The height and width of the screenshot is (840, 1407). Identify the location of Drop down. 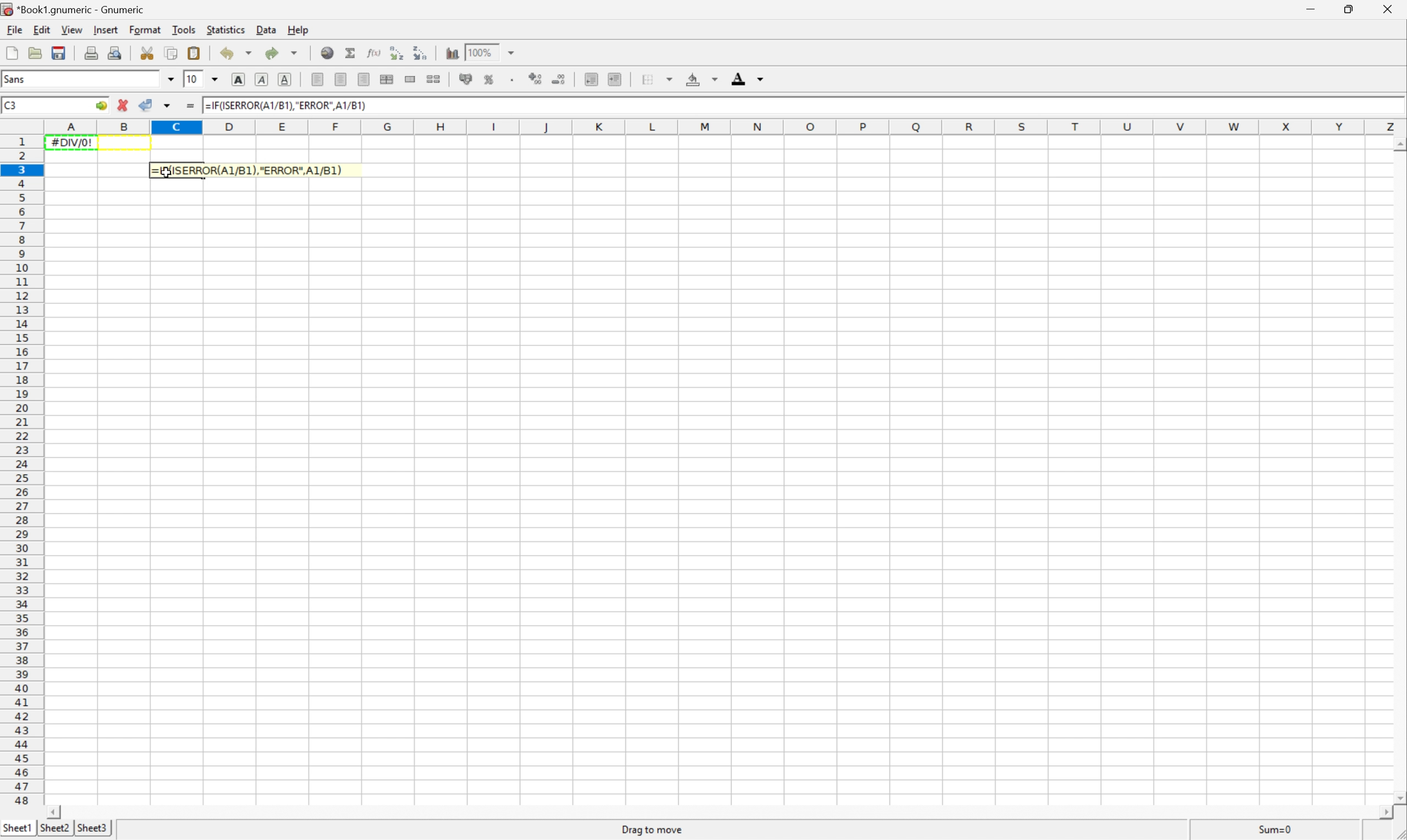
(251, 53).